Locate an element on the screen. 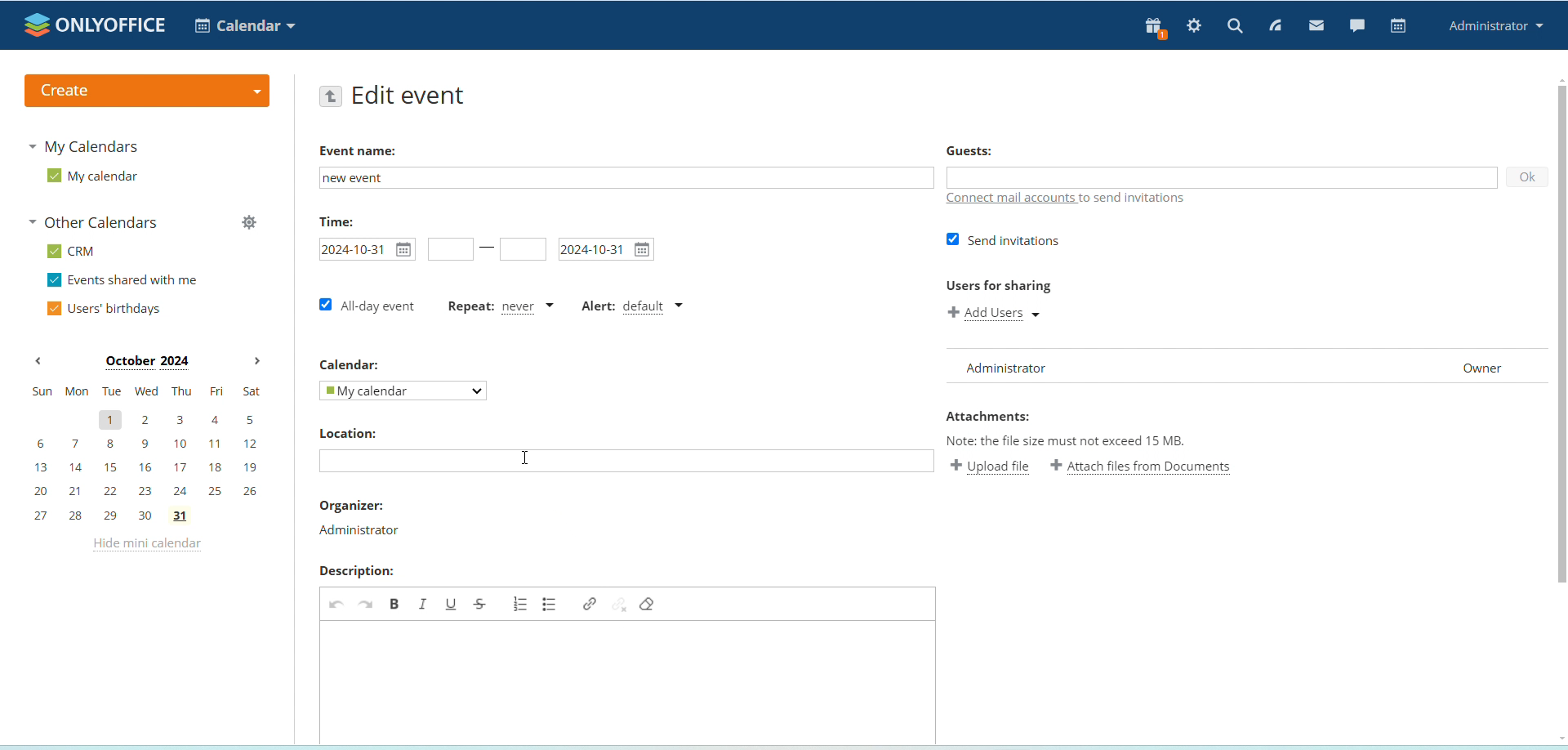 The image size is (1568, 750). manage is located at coordinates (248, 225).